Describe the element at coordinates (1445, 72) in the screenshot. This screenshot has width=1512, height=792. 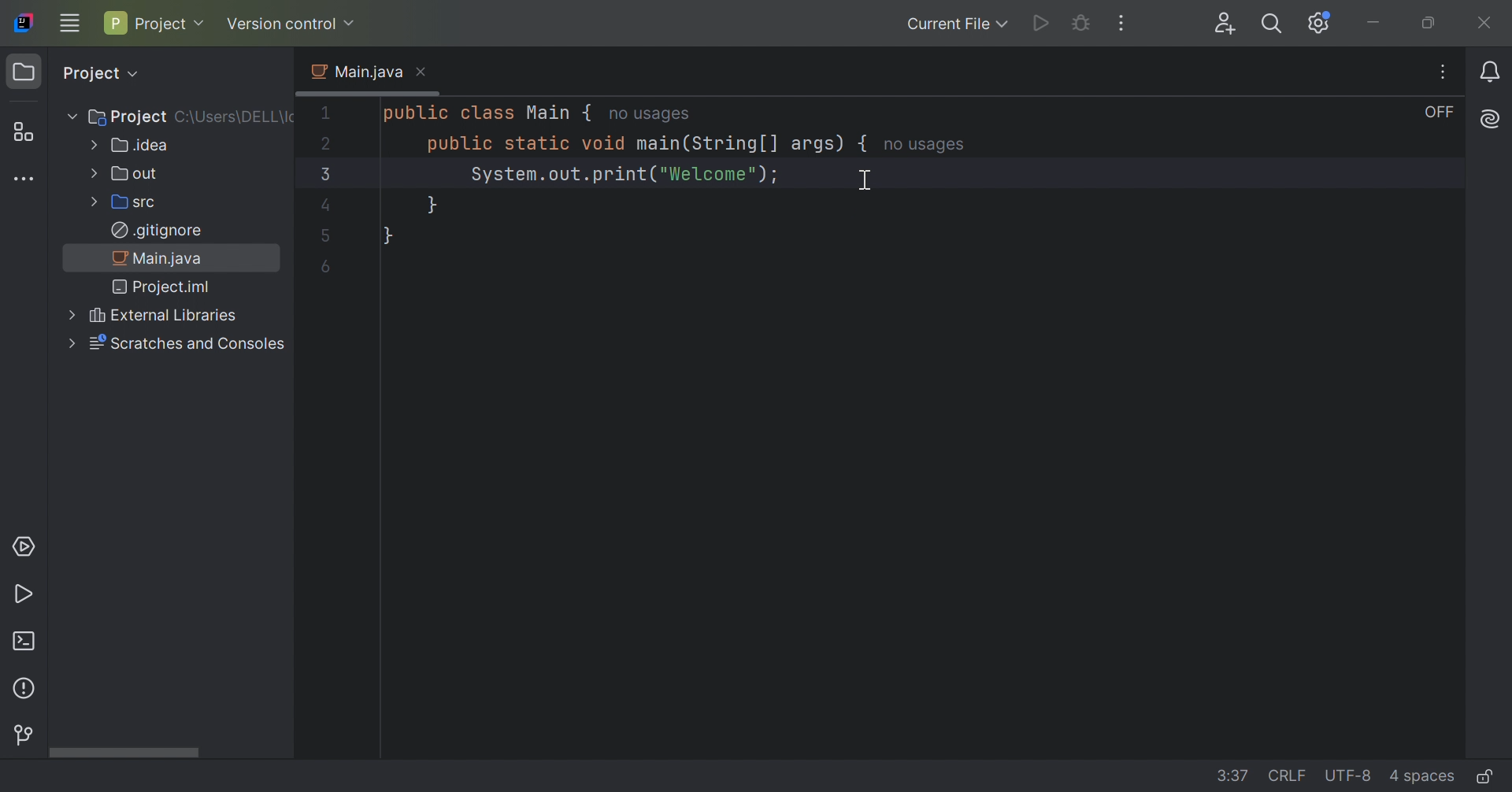
I see `Recent files, tab actions and more.` at that location.